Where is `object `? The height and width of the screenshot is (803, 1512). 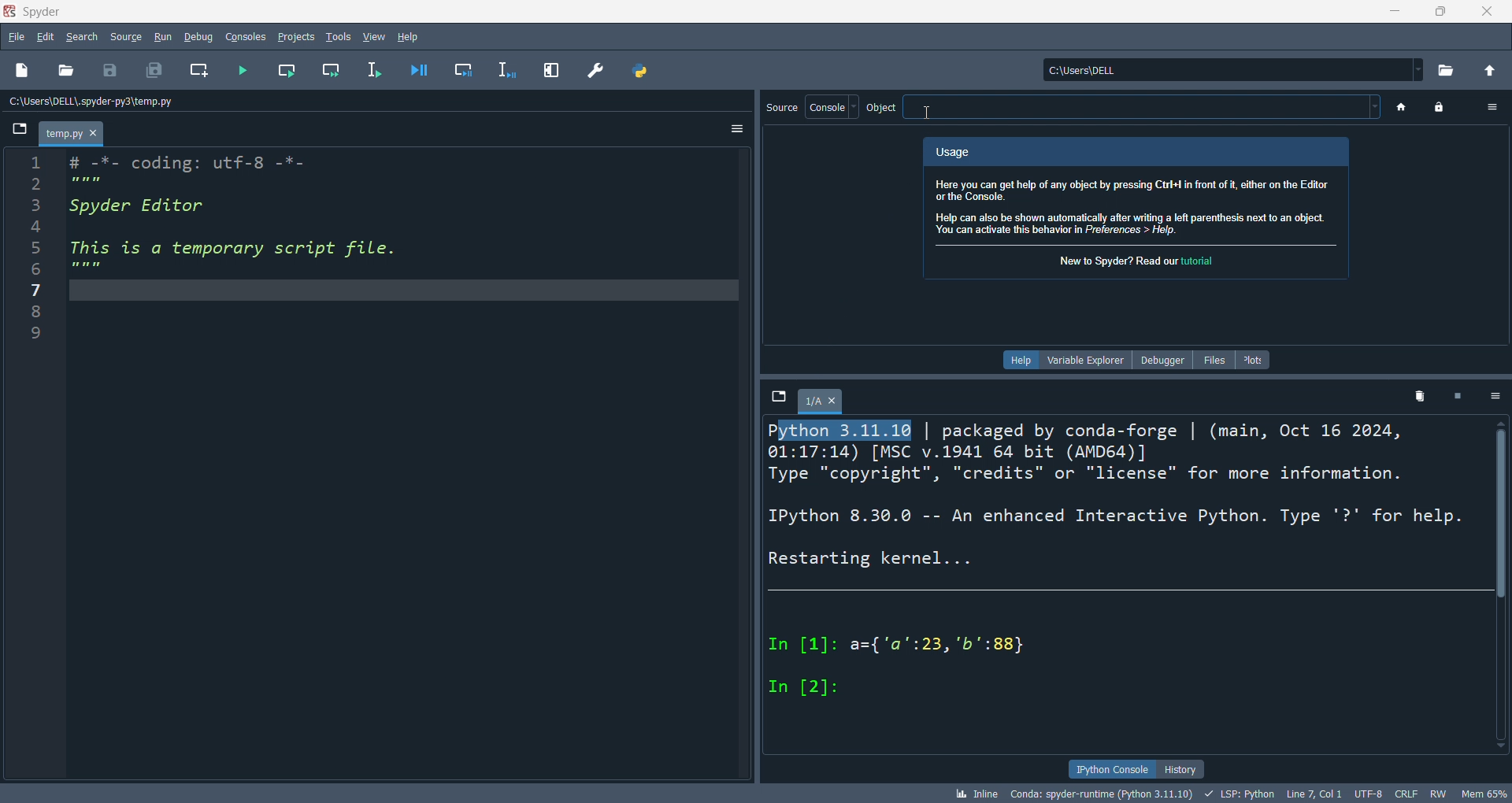
object  is located at coordinates (1126, 107).